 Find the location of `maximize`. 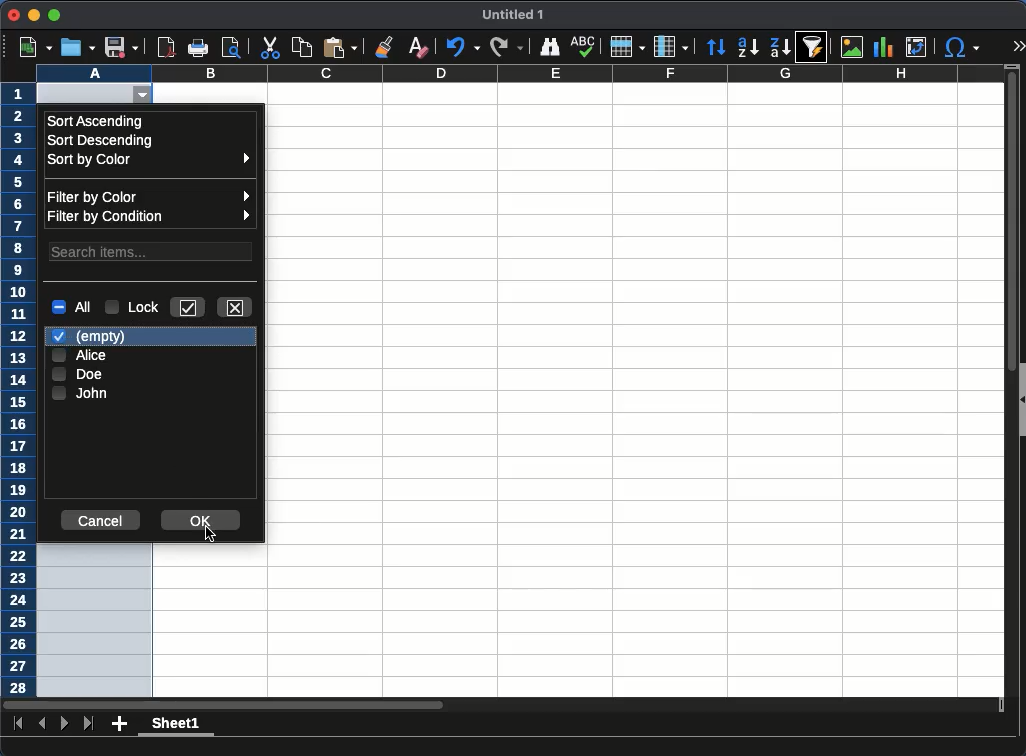

maximize is located at coordinates (53, 15).